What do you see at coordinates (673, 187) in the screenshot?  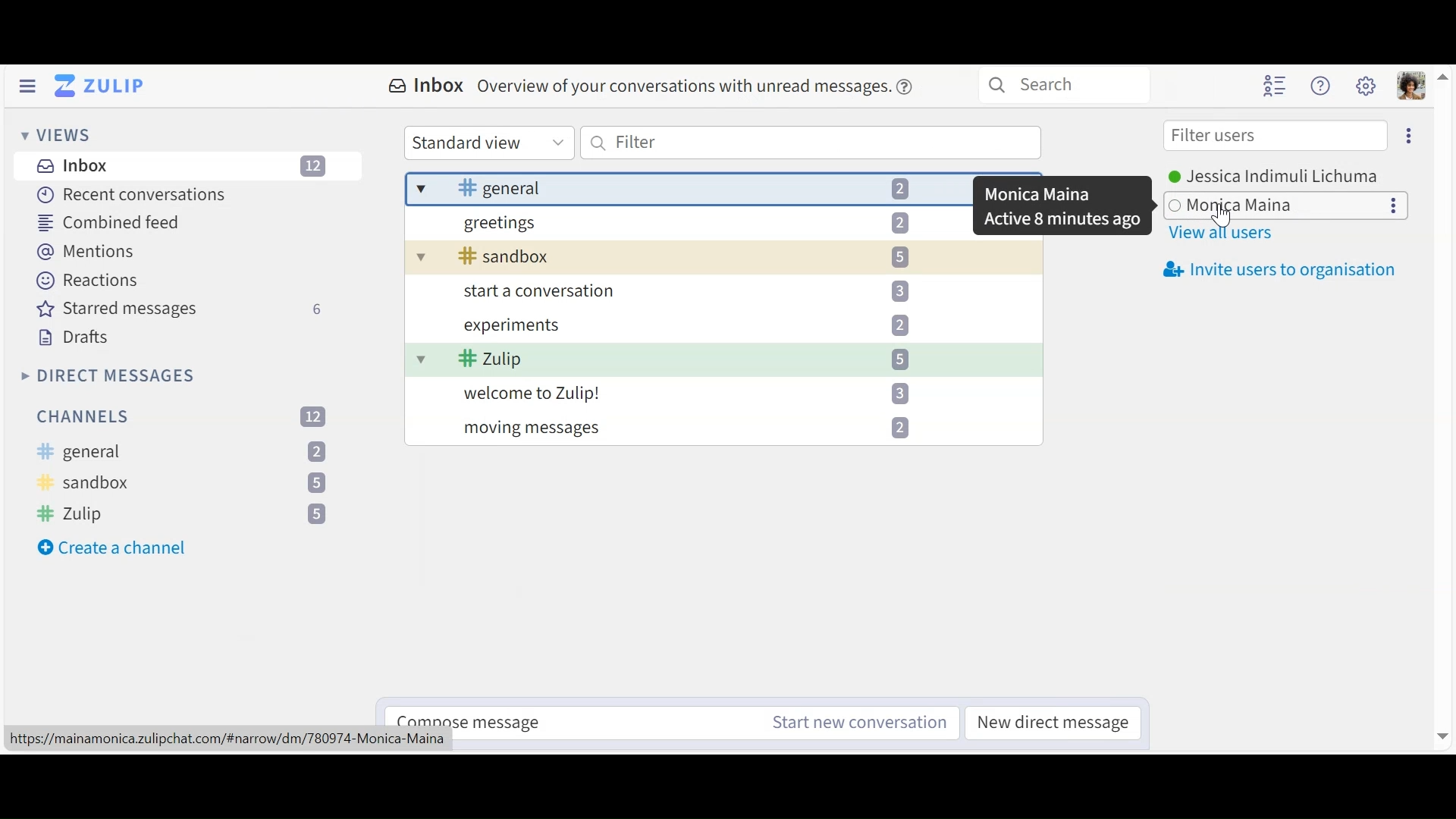 I see `Inbox messages` at bounding box center [673, 187].